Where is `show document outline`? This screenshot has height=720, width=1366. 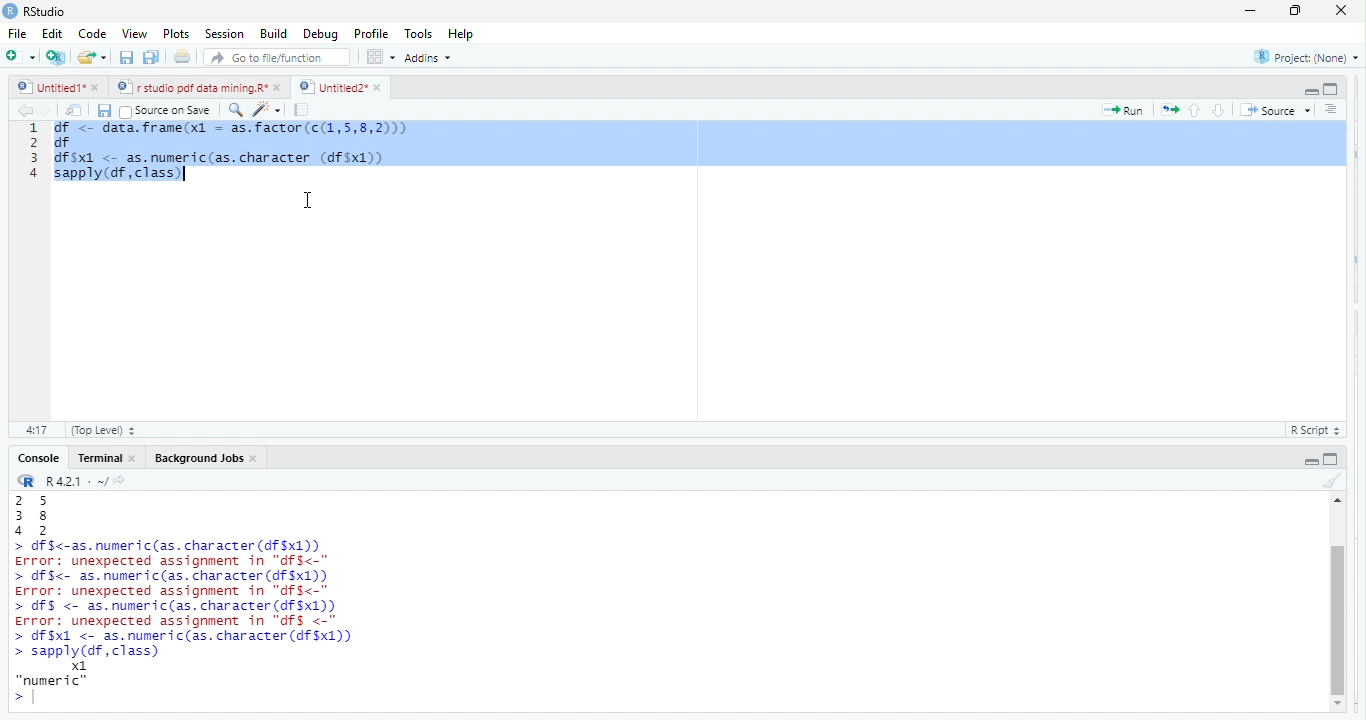 show document outline is located at coordinates (1332, 111).